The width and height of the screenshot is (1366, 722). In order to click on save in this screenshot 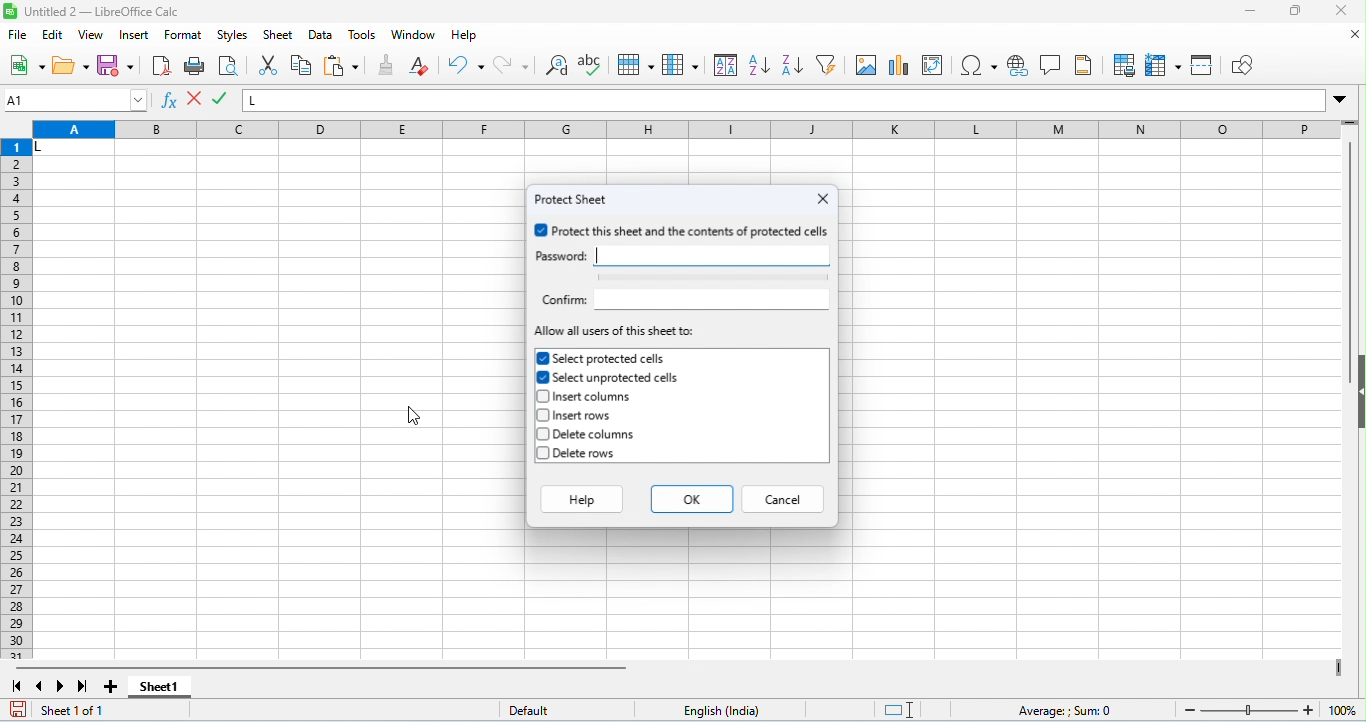, I will do `click(17, 709)`.